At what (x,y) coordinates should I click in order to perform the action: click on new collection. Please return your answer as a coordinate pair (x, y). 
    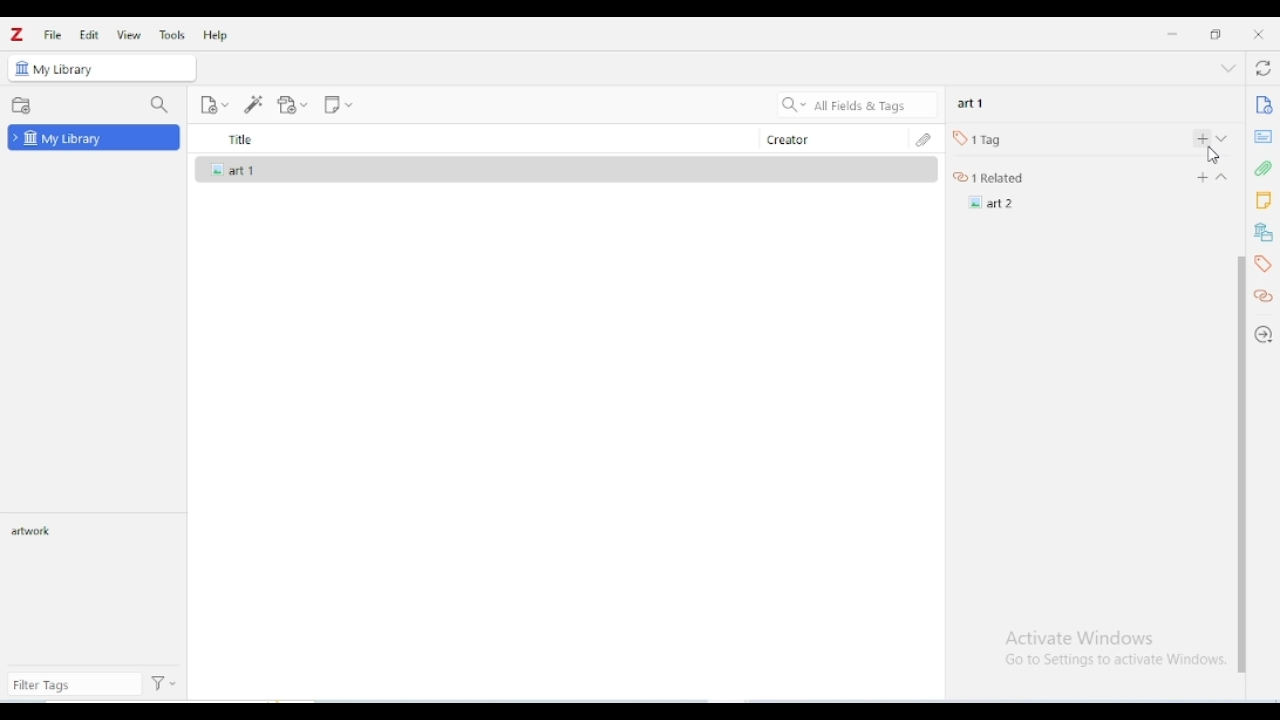
    Looking at the image, I should click on (21, 105).